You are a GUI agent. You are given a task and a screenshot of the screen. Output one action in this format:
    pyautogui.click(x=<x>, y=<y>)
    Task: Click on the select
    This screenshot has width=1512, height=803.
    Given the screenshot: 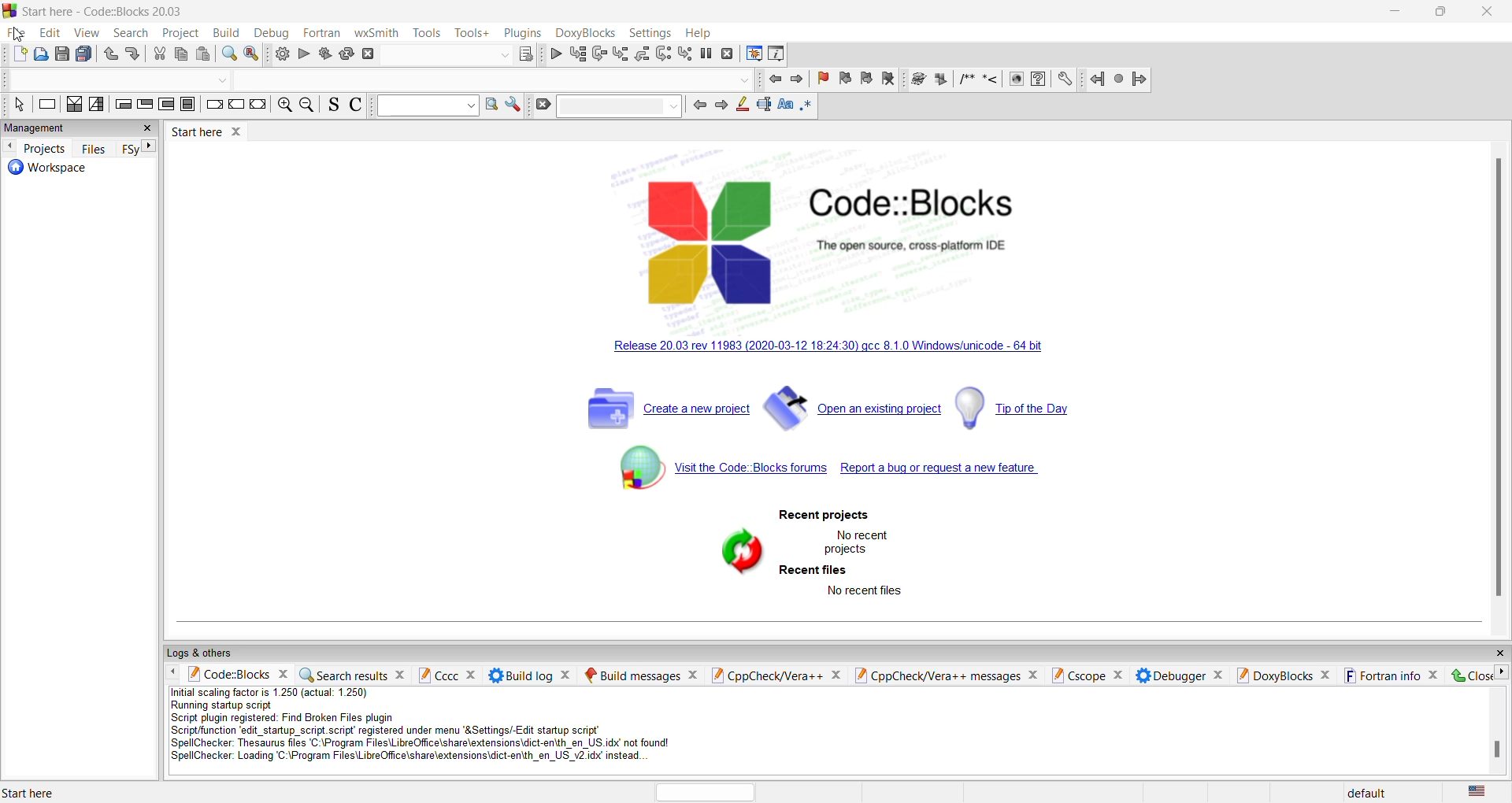 What is the action you would take?
    pyautogui.click(x=18, y=105)
    